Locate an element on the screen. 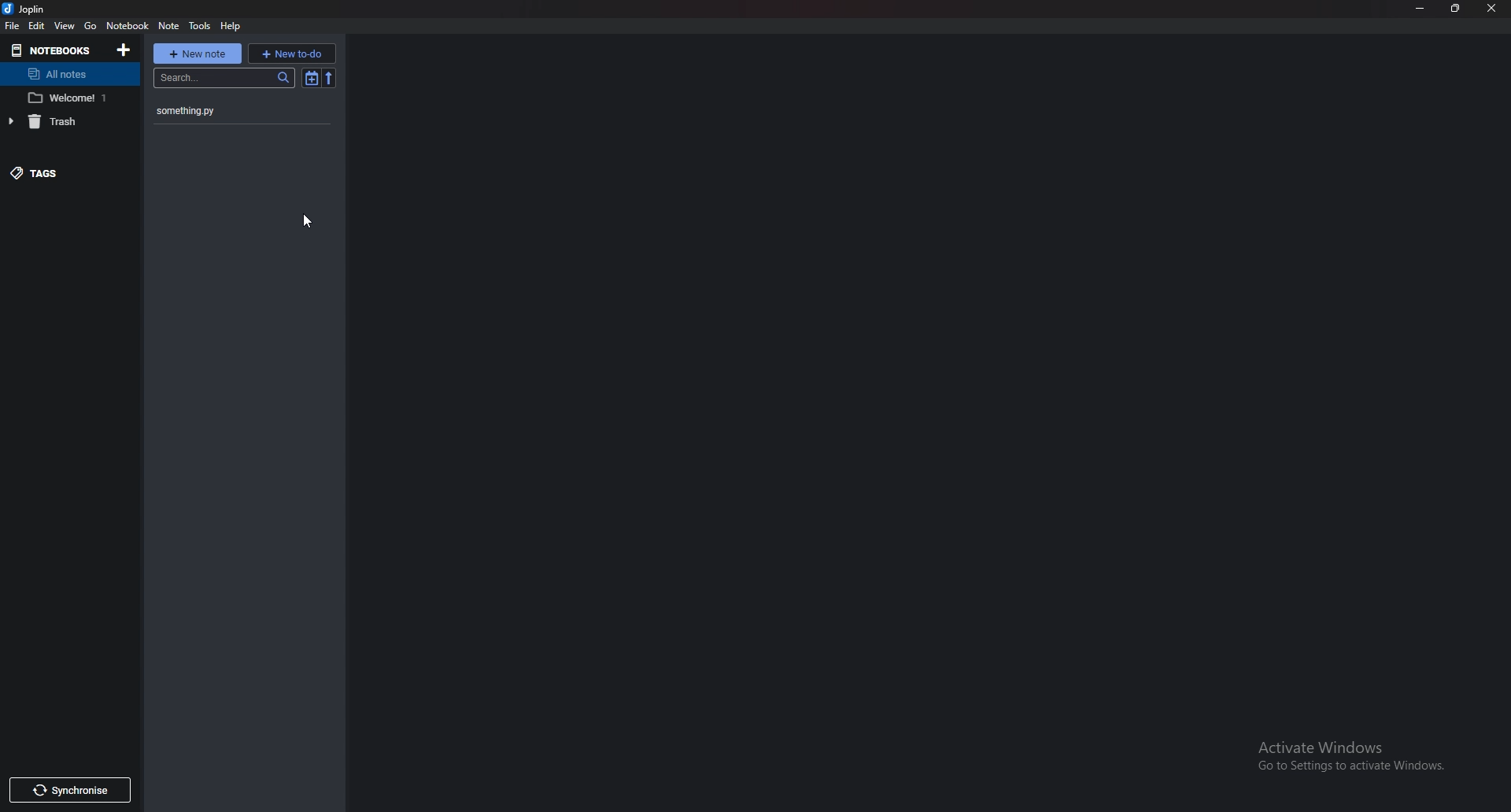 This screenshot has width=1511, height=812. go is located at coordinates (92, 24).